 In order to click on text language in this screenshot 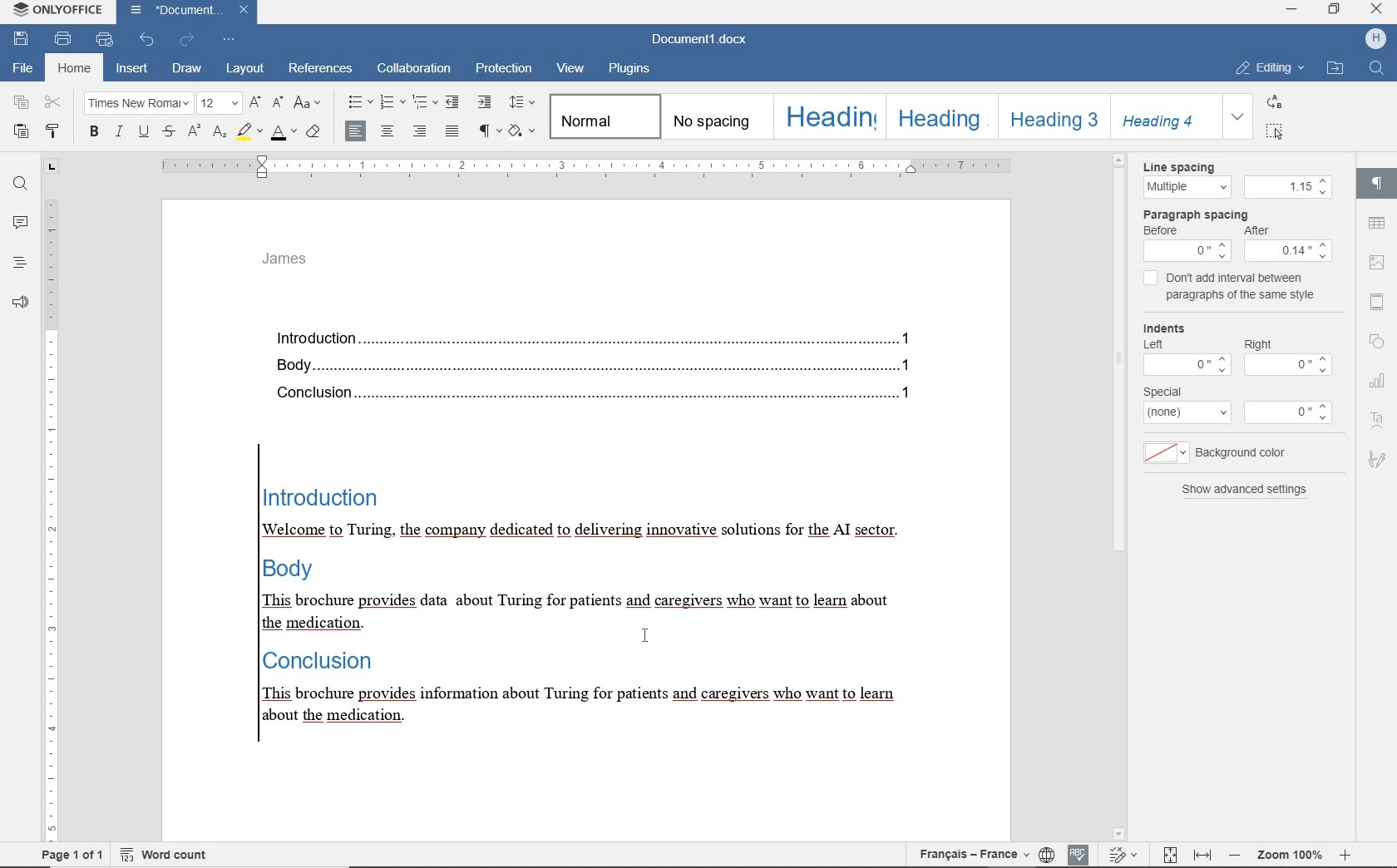, I will do `click(970, 854)`.